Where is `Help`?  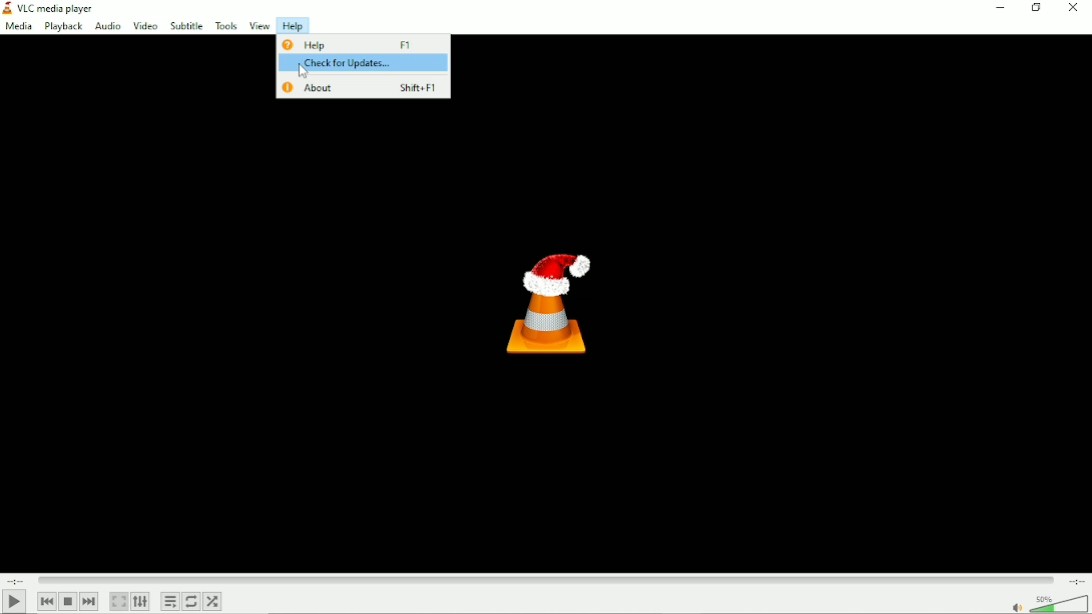 Help is located at coordinates (362, 44).